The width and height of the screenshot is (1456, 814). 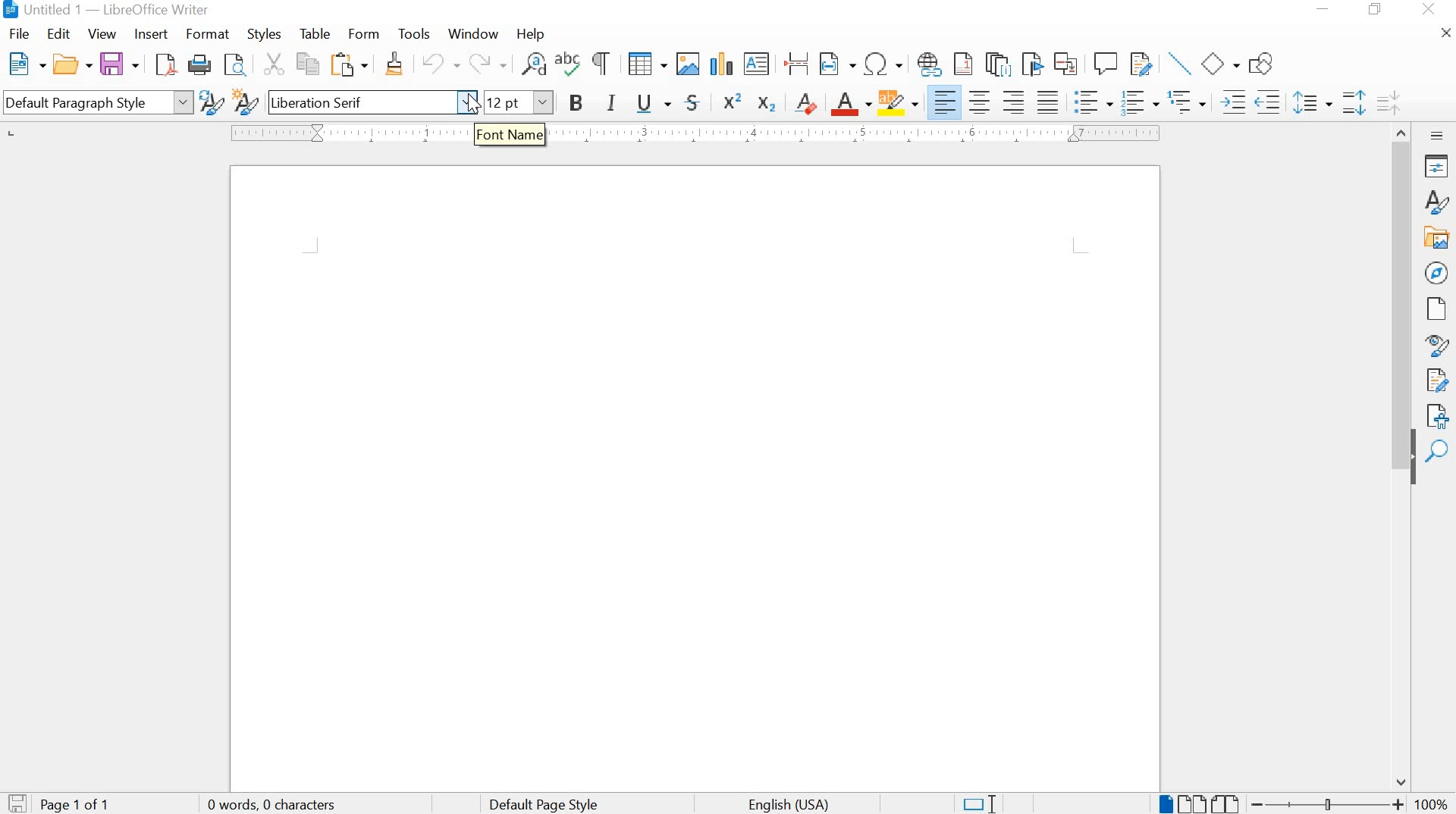 What do you see at coordinates (271, 64) in the screenshot?
I see `CUT` at bounding box center [271, 64].